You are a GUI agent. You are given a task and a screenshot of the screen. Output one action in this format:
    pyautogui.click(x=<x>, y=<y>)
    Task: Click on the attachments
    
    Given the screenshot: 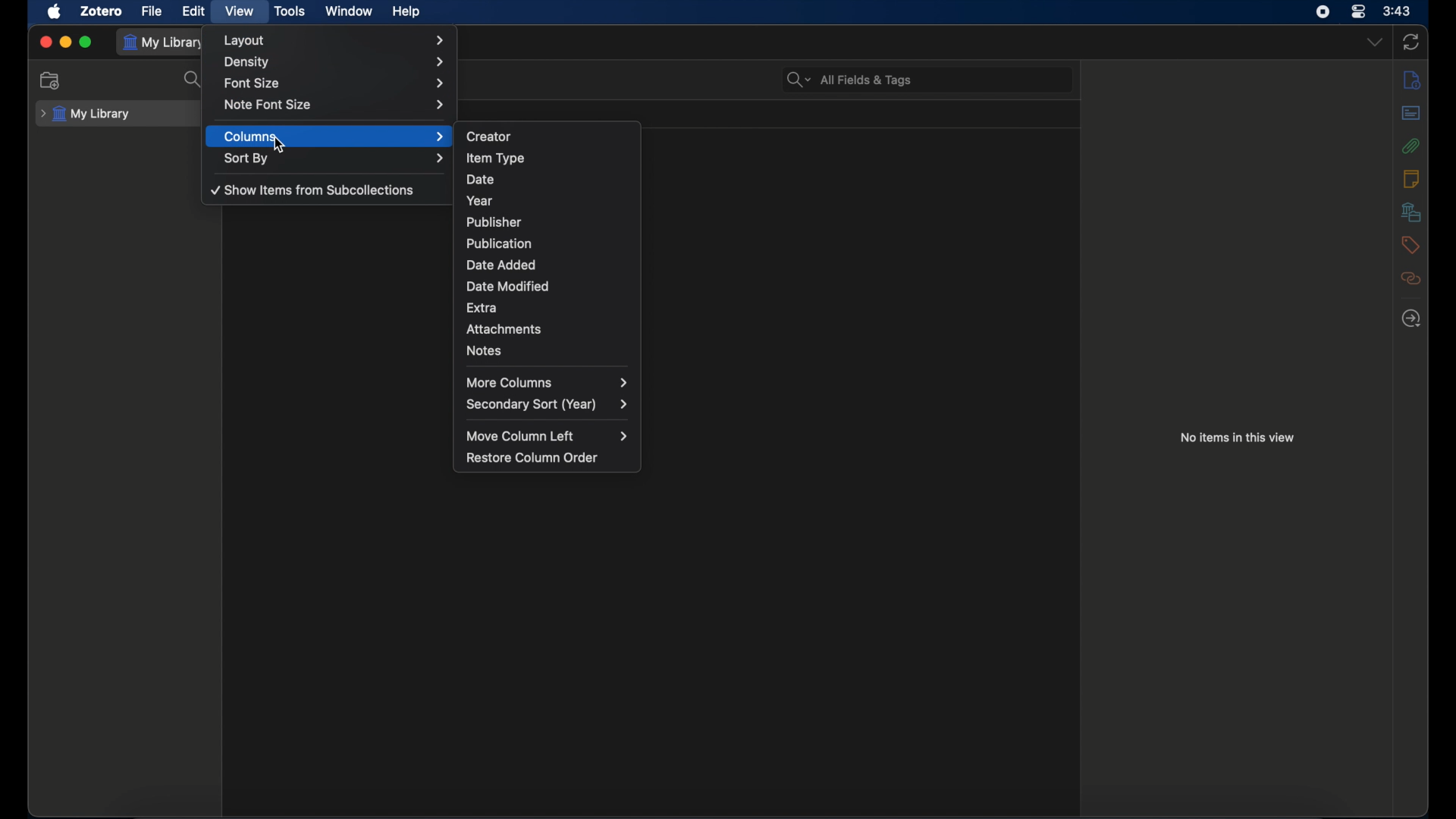 What is the action you would take?
    pyautogui.click(x=1411, y=146)
    